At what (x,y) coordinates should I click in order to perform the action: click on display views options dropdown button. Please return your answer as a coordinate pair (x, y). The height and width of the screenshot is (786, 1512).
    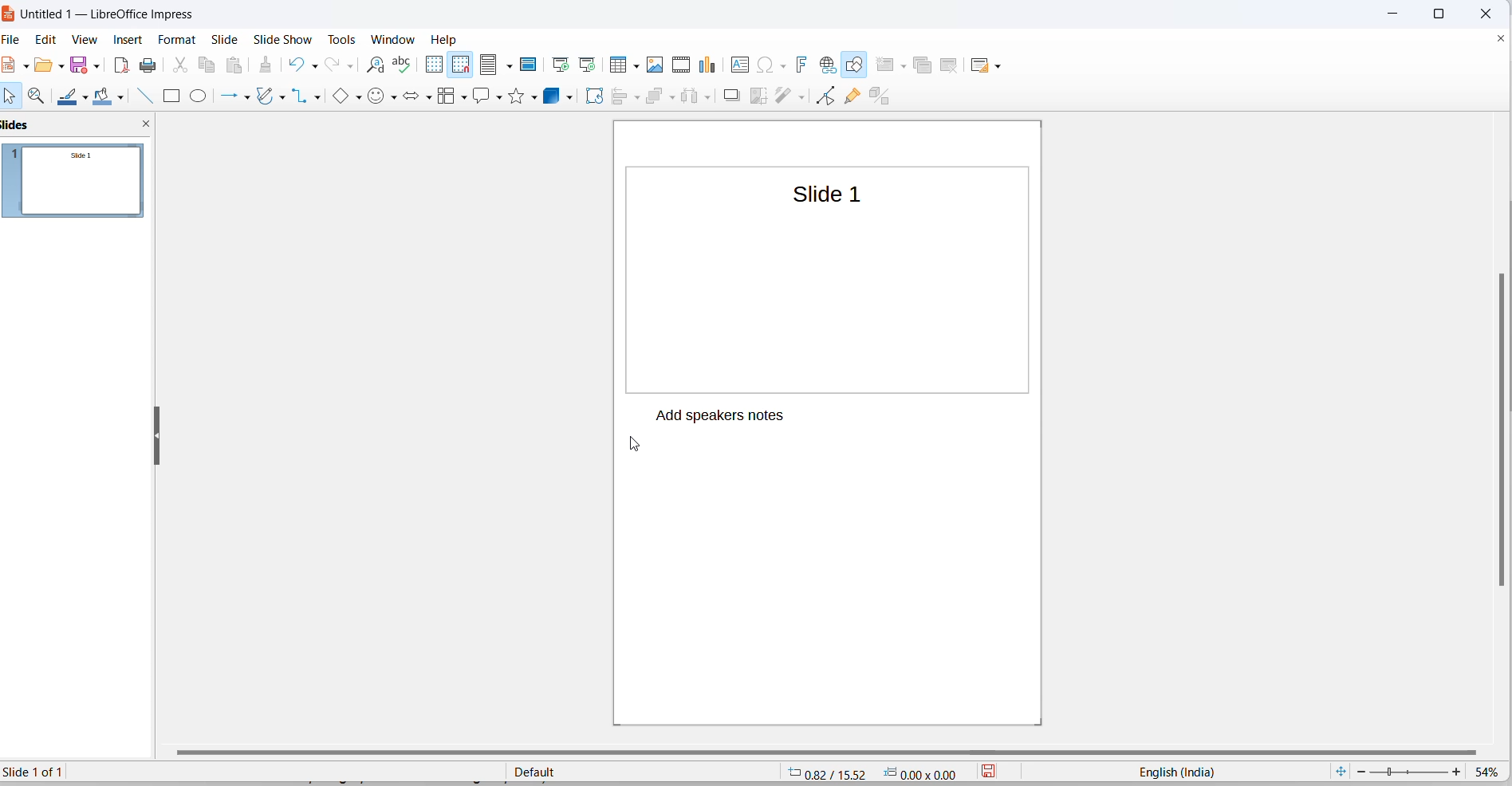
    Looking at the image, I should click on (512, 65).